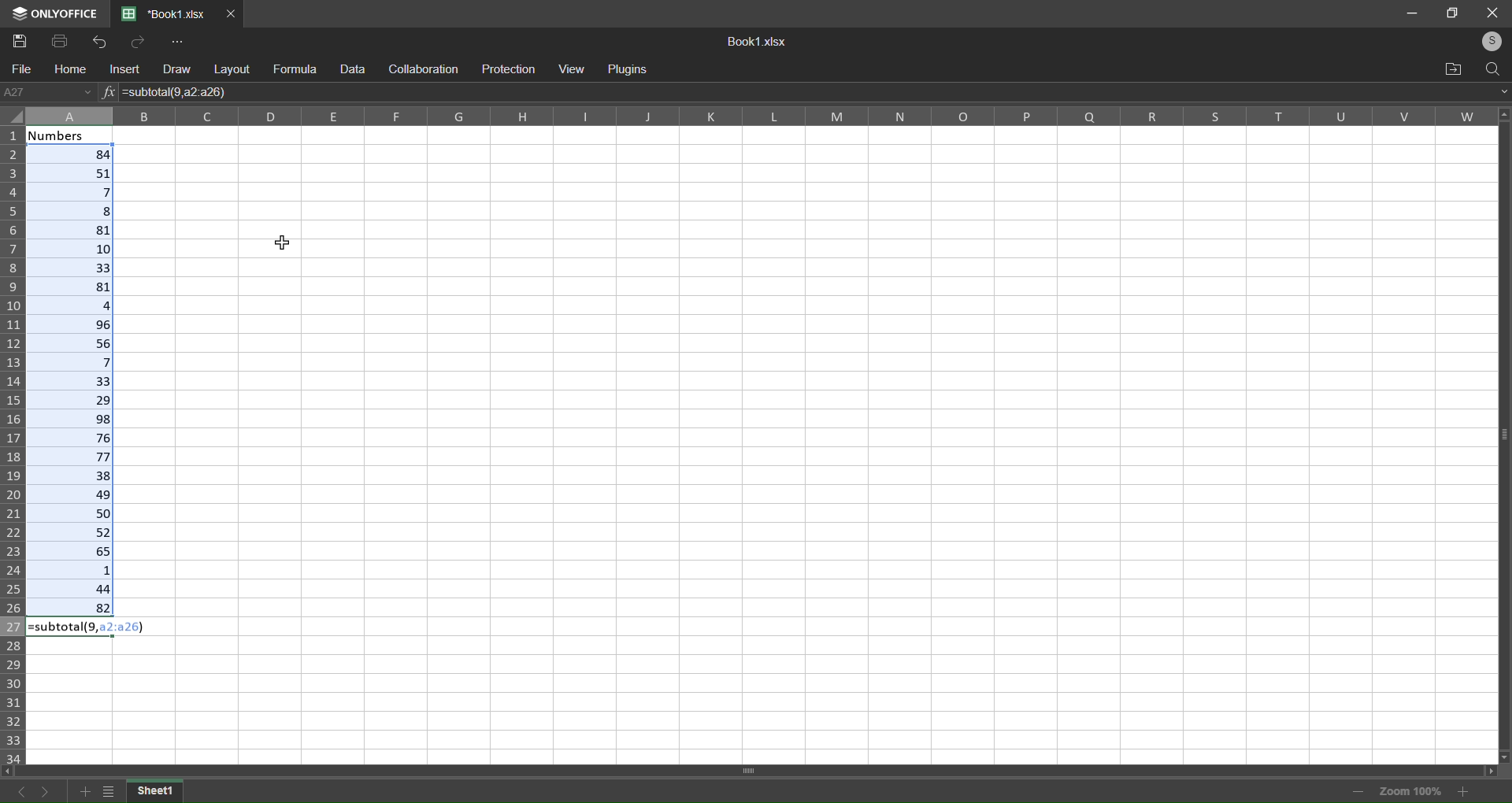 Image resolution: width=1512 pixels, height=803 pixels. What do you see at coordinates (90, 628) in the screenshot?
I see `=subtotal(9,a2,a26)` at bounding box center [90, 628].